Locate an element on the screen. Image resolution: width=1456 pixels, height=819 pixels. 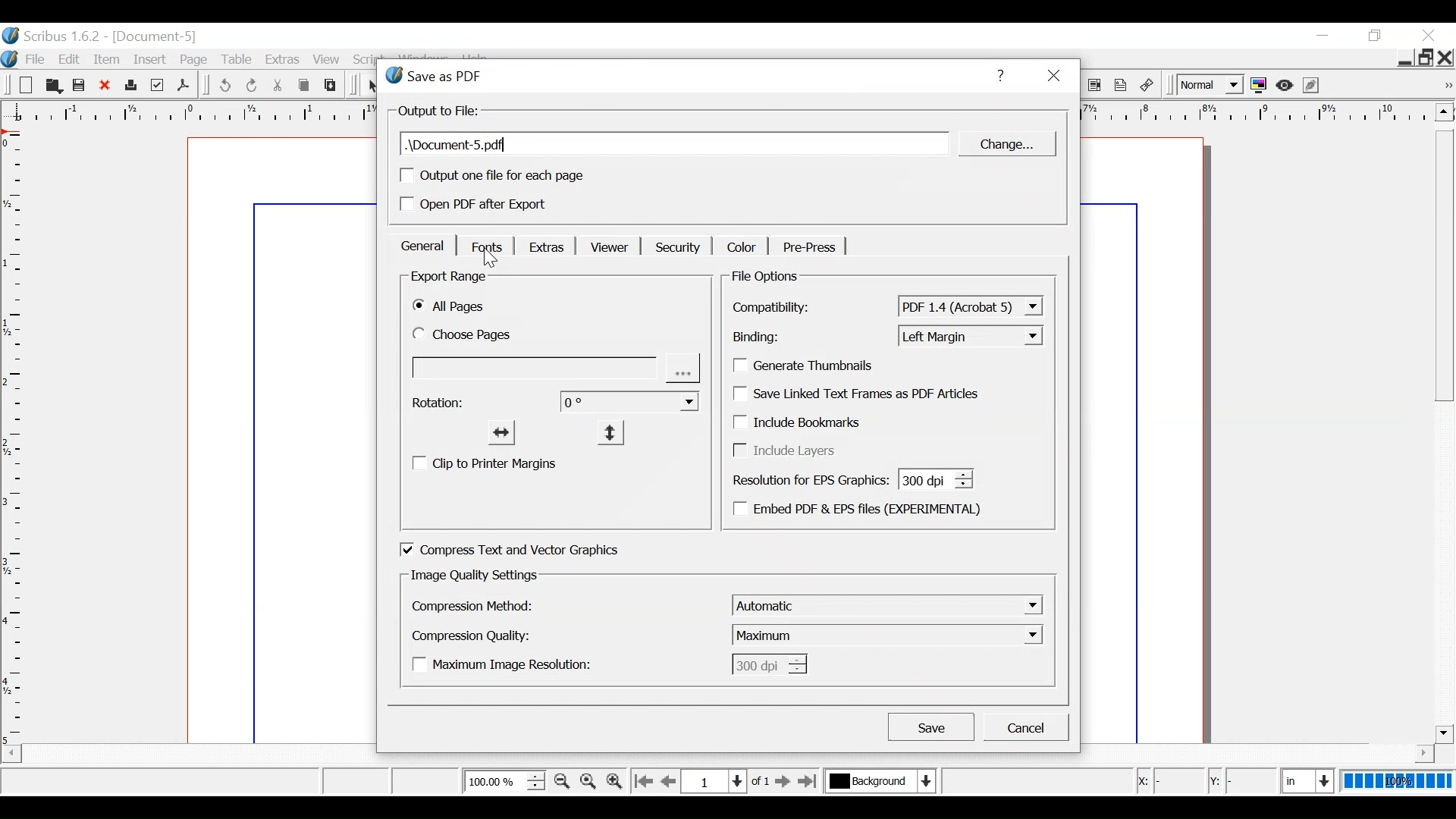
Mirror pages Vertically is located at coordinates (607, 431).